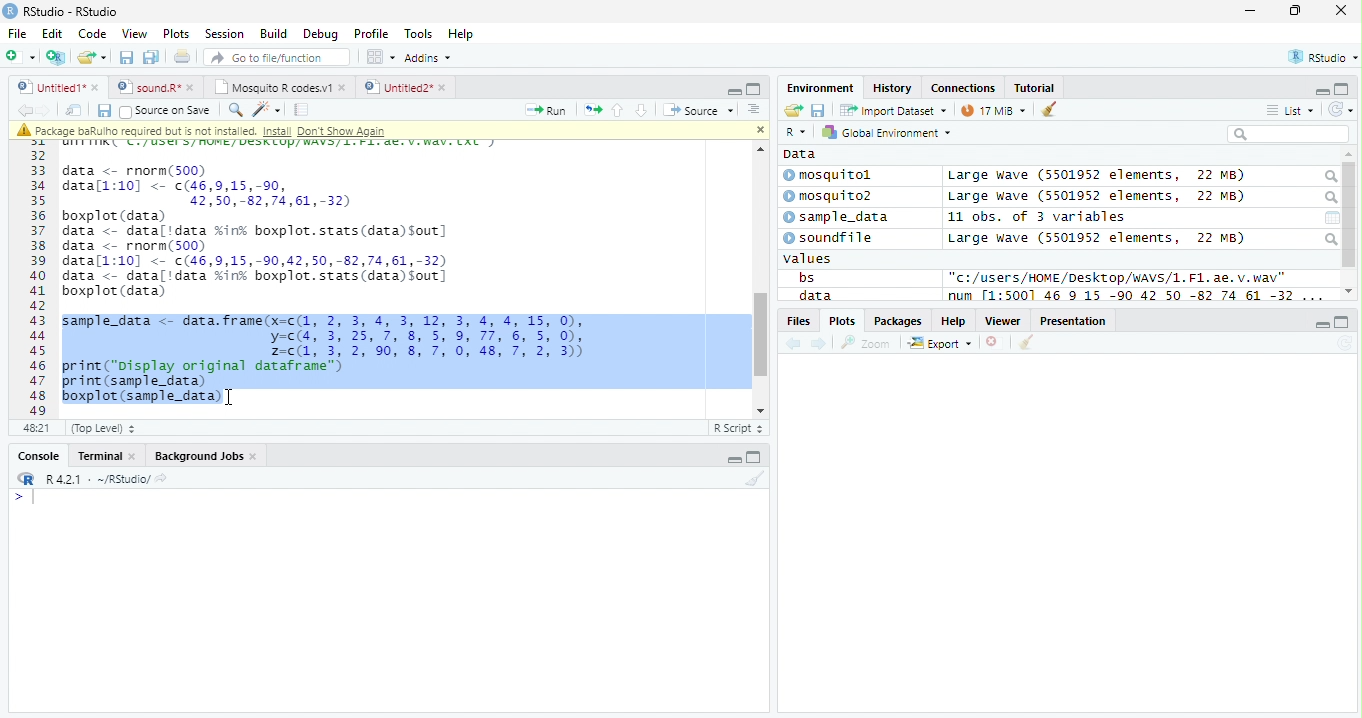 Image resolution: width=1362 pixels, height=718 pixels. I want to click on Large wave (5501952 elements, 22 MB), so click(1100, 197).